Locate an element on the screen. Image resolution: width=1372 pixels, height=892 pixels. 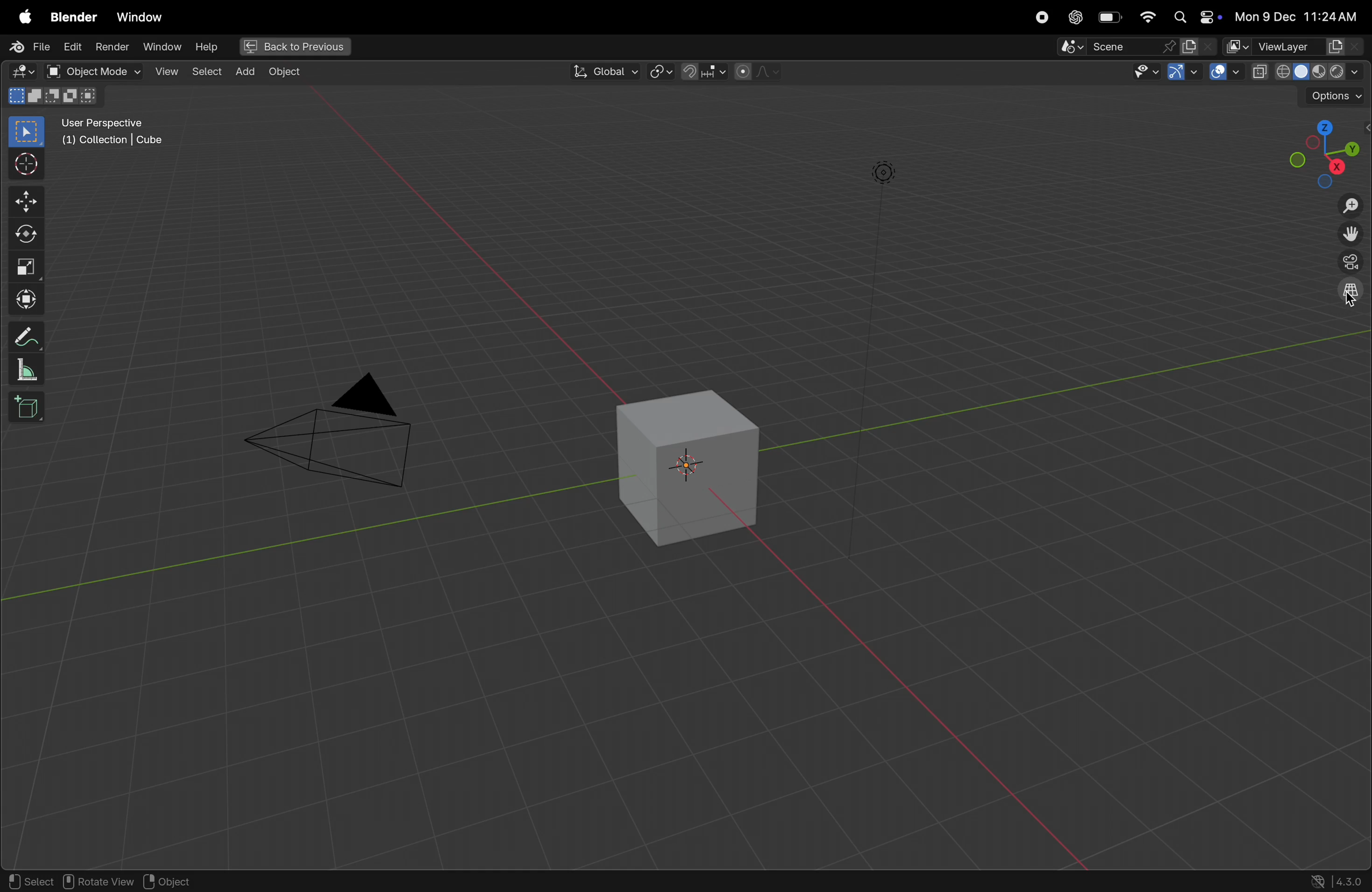
cursor is located at coordinates (1350, 306).